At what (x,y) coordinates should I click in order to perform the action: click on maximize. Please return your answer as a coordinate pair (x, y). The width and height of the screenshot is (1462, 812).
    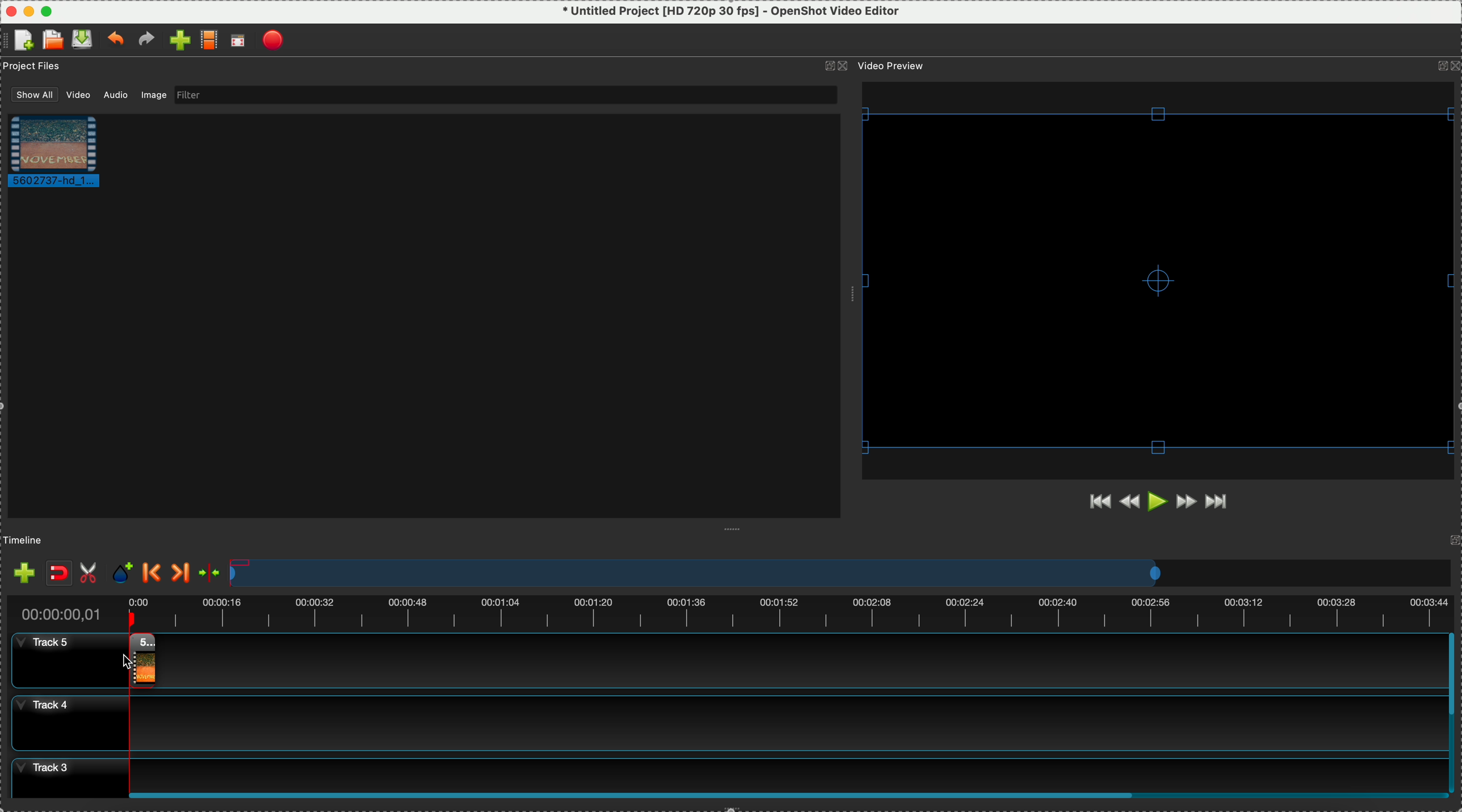
    Looking at the image, I should click on (46, 10).